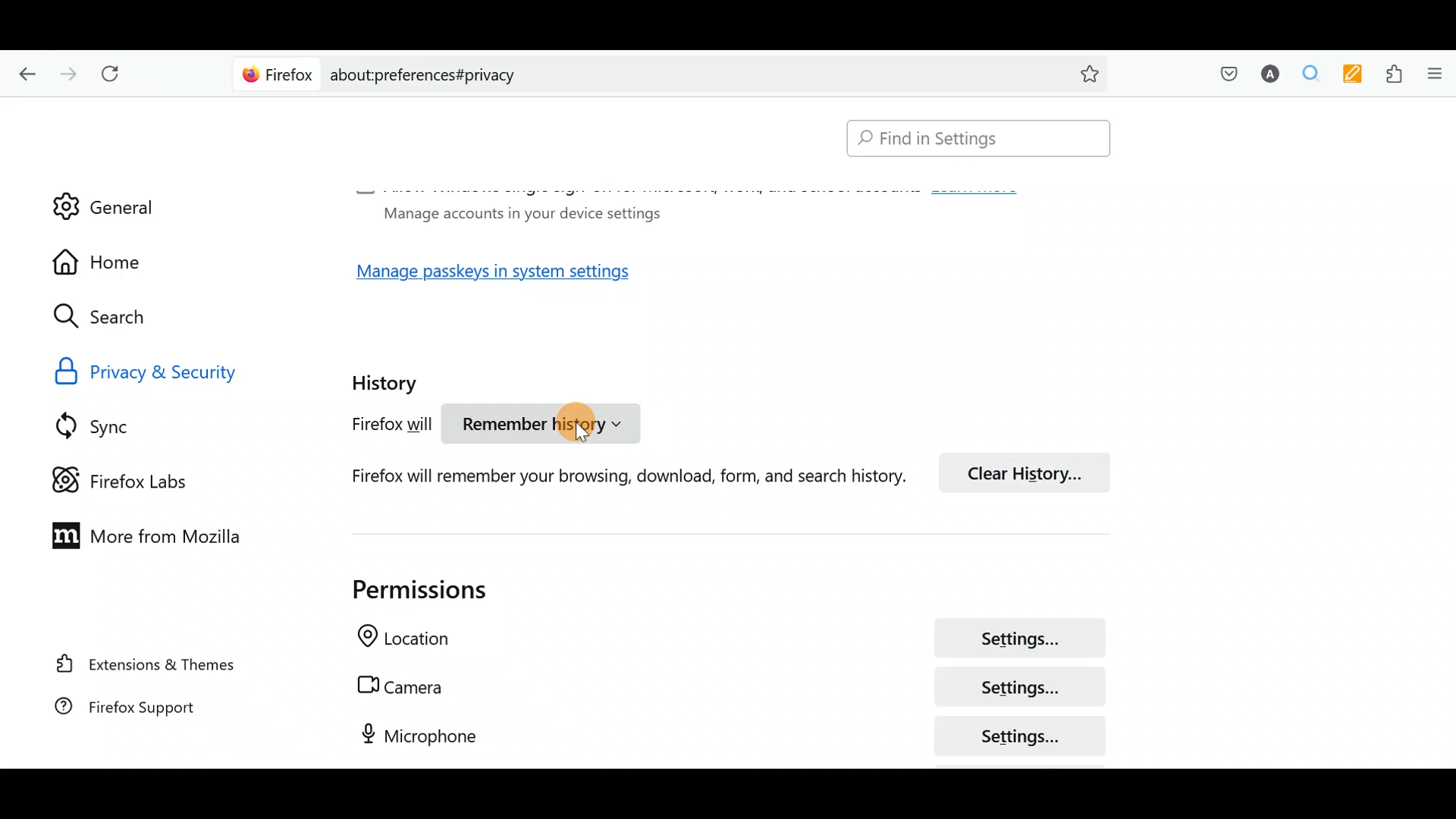  What do you see at coordinates (144, 714) in the screenshot?
I see `Firefox support` at bounding box center [144, 714].